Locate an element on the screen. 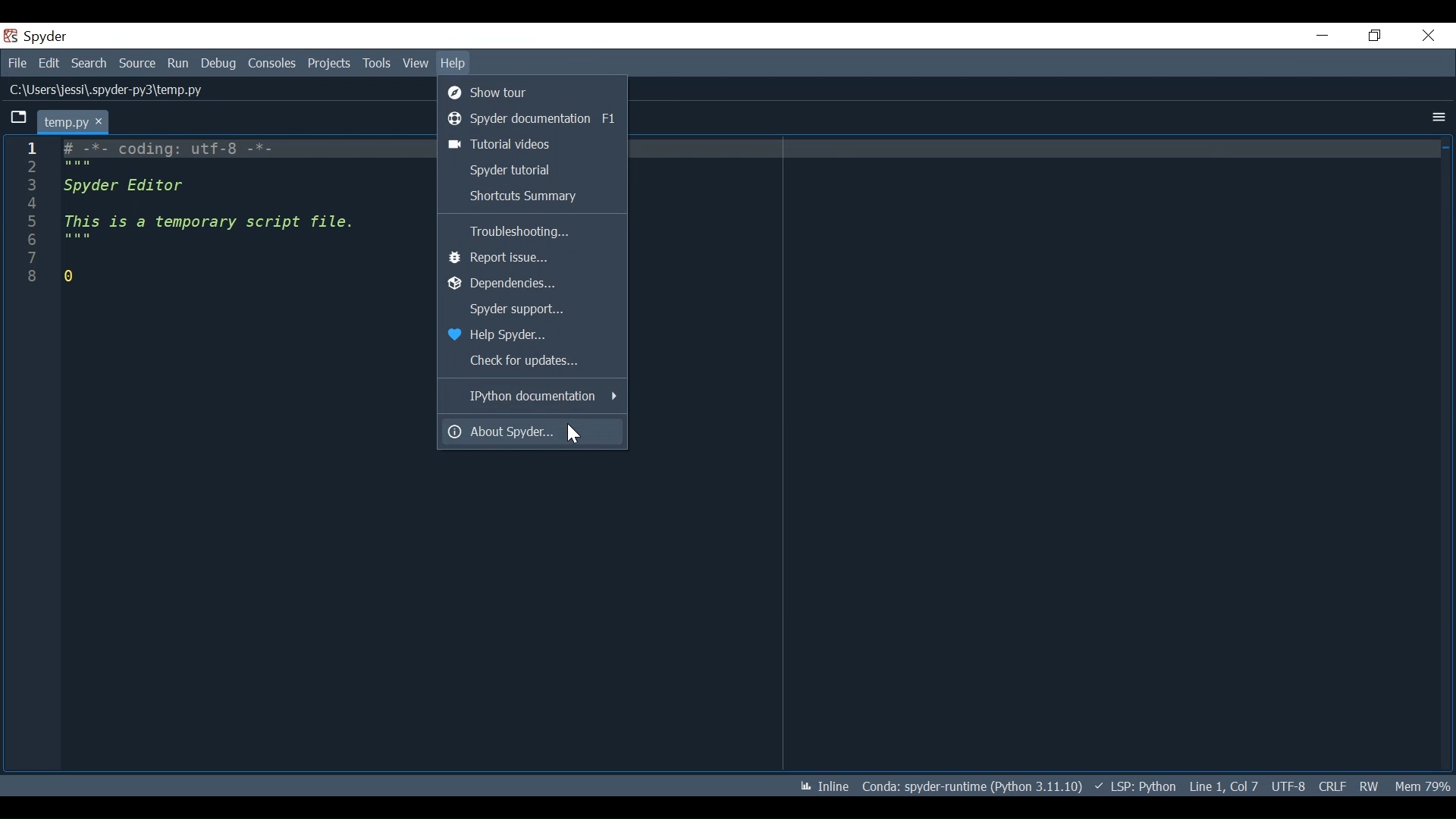 The image size is (1456, 819). Spyder Tutorial is located at coordinates (535, 171).